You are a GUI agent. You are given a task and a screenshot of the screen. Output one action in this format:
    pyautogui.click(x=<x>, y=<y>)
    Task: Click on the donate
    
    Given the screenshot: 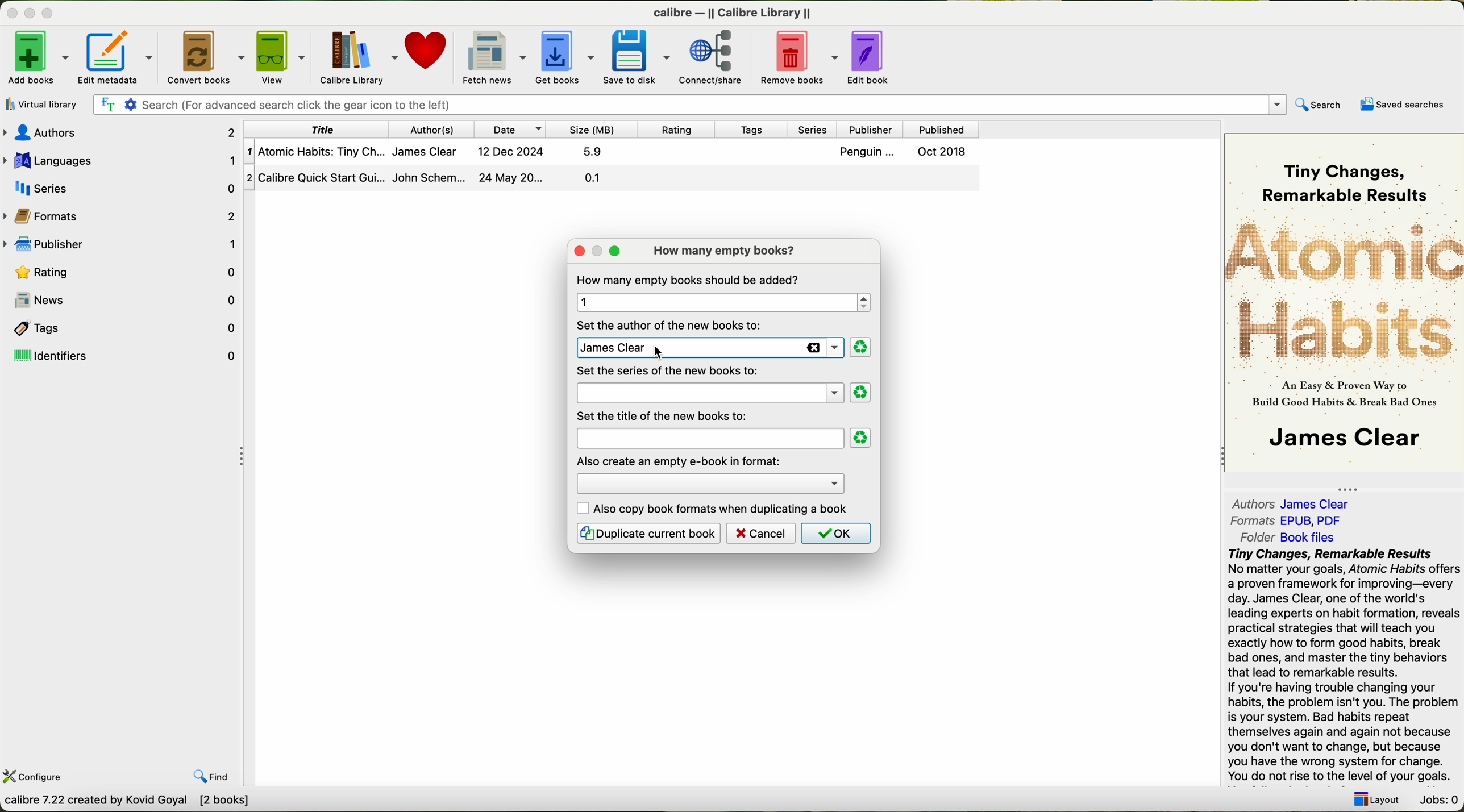 What is the action you would take?
    pyautogui.click(x=425, y=52)
    